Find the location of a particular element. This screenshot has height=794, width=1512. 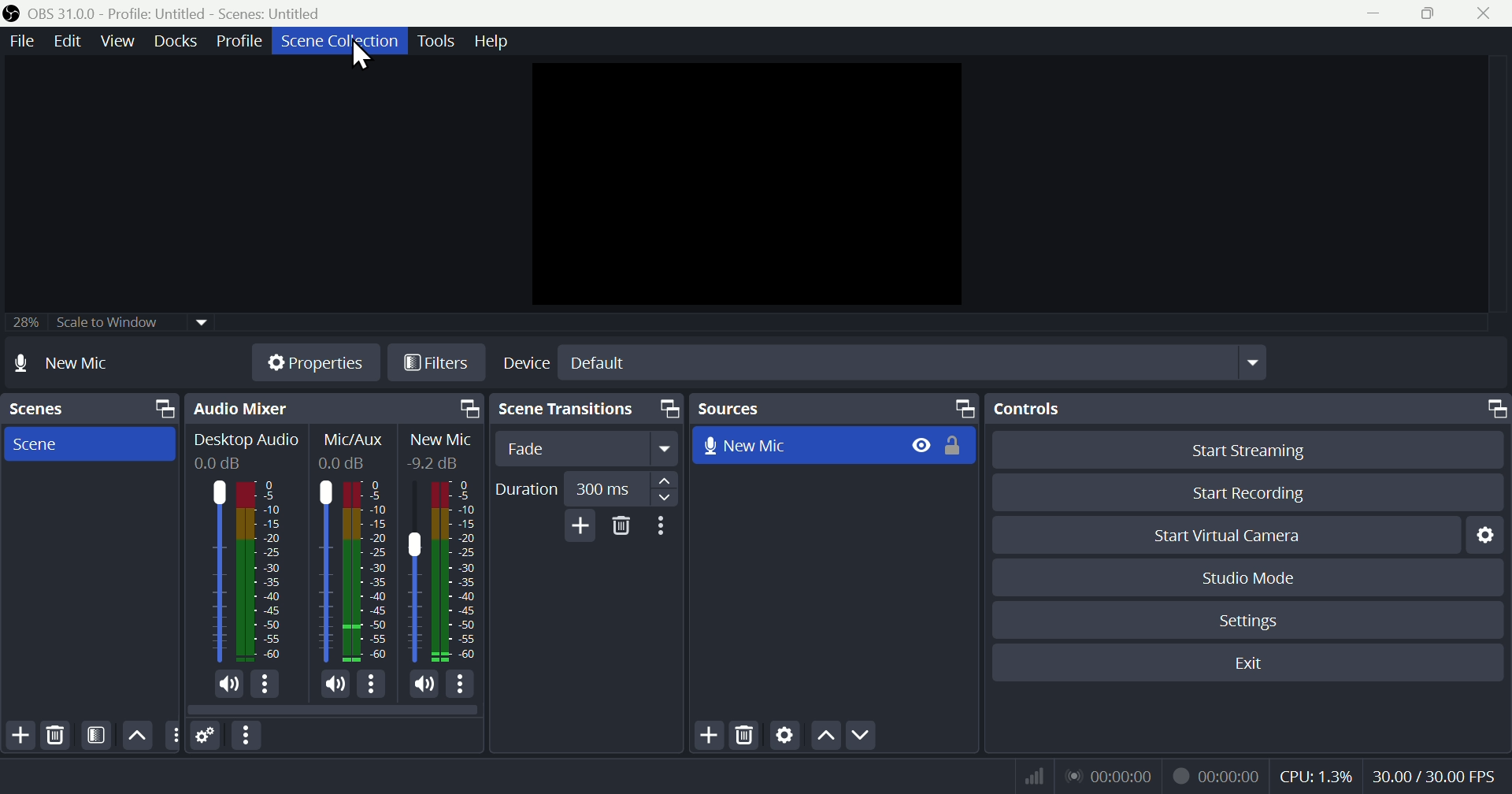

Start streaming is located at coordinates (1250, 448).